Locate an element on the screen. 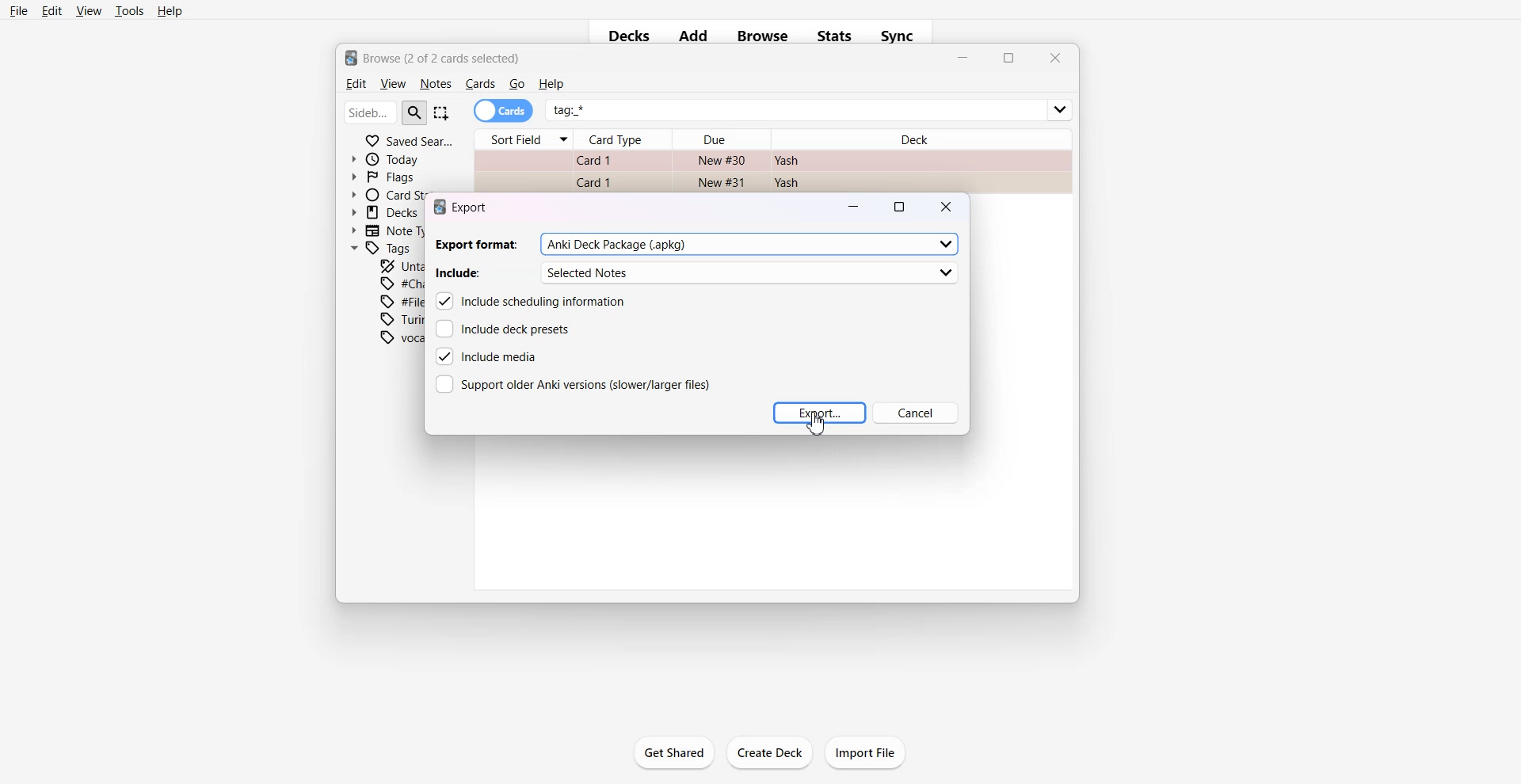 Image resolution: width=1521 pixels, height=784 pixels. Due is located at coordinates (722, 139).